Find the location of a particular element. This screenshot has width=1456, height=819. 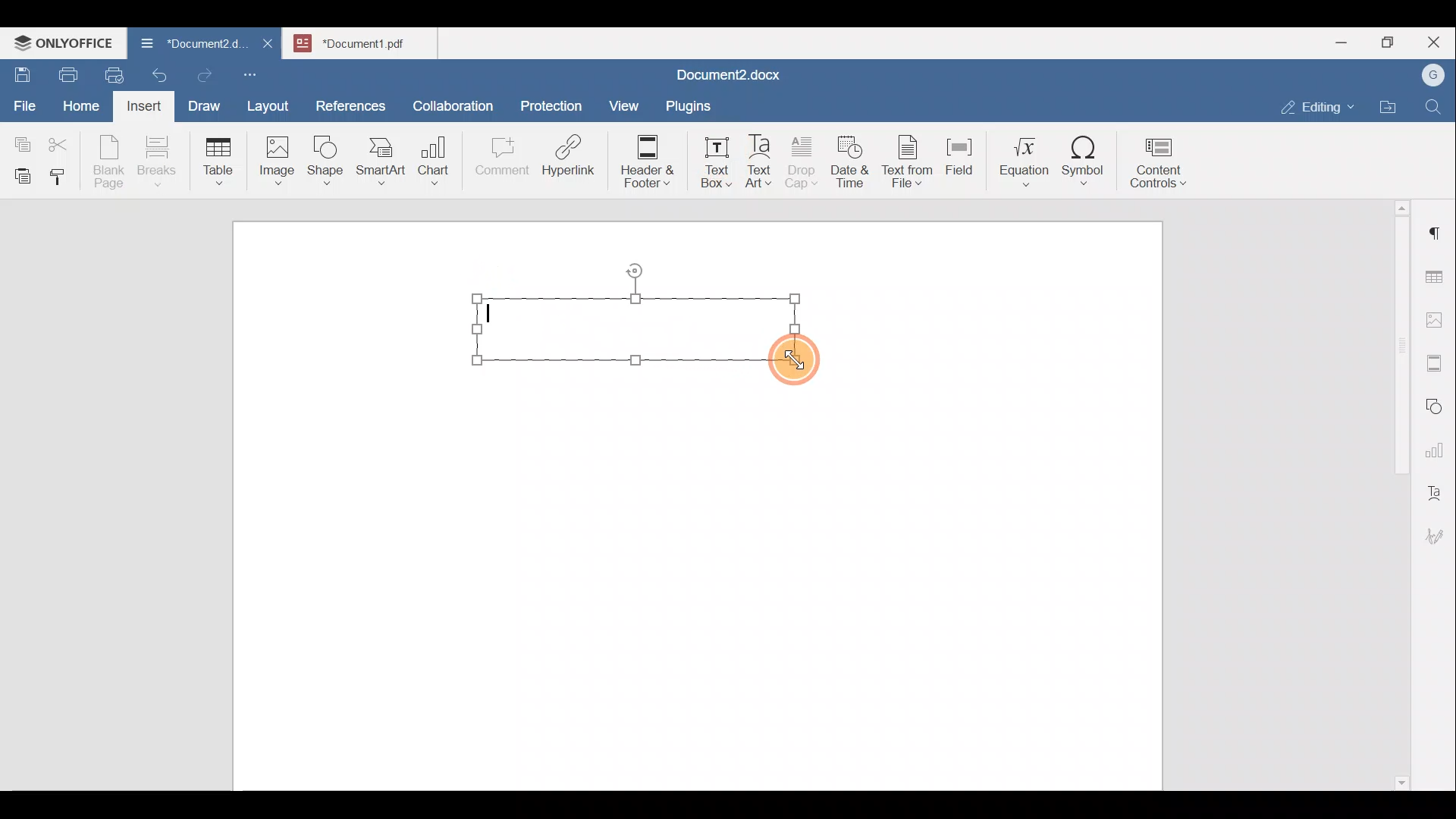

Comment is located at coordinates (497, 160).